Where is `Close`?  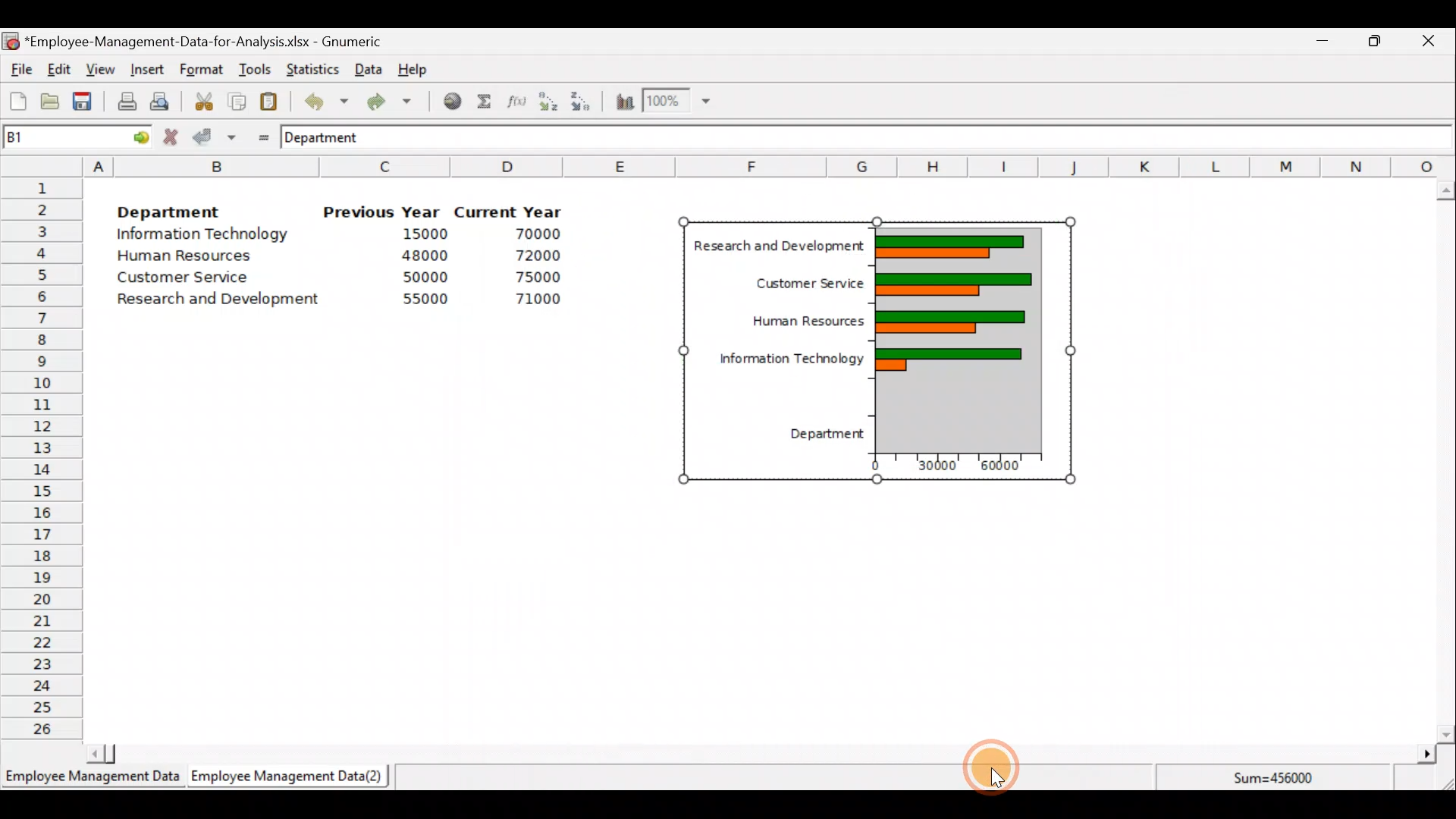
Close is located at coordinates (1427, 43).